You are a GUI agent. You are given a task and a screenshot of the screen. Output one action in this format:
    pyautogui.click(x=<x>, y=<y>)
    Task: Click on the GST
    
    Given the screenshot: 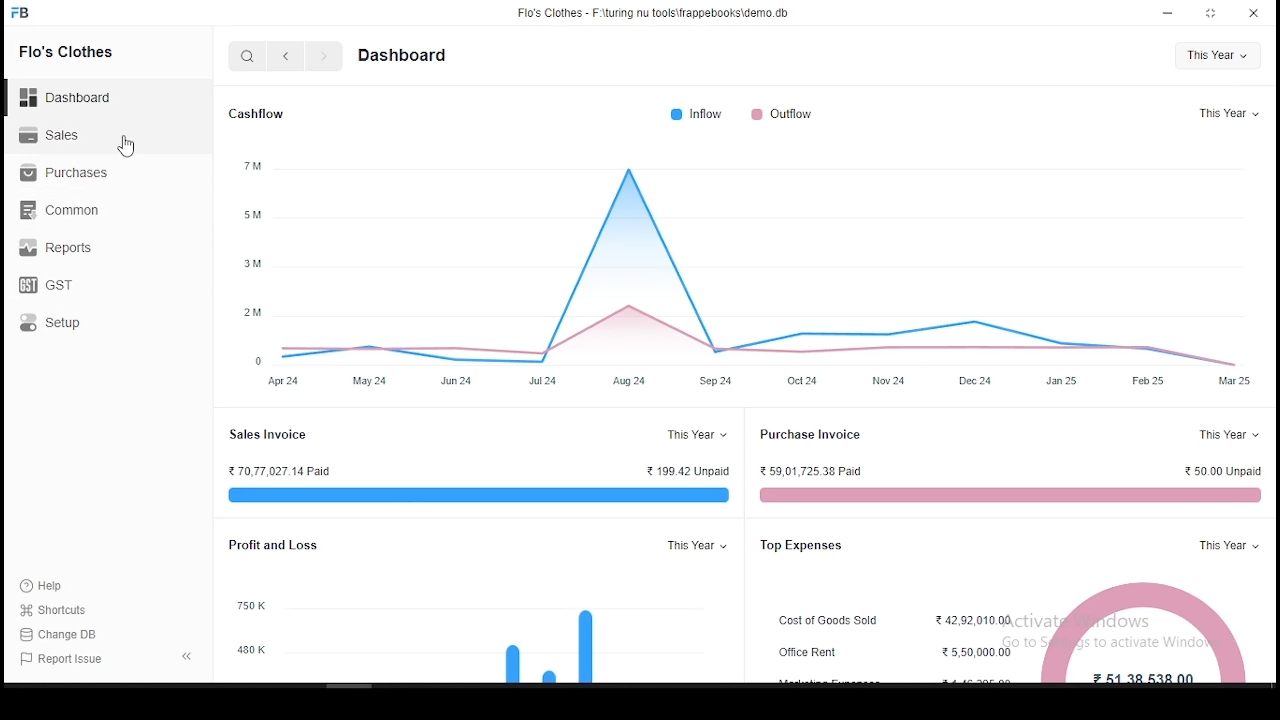 What is the action you would take?
    pyautogui.click(x=56, y=286)
    